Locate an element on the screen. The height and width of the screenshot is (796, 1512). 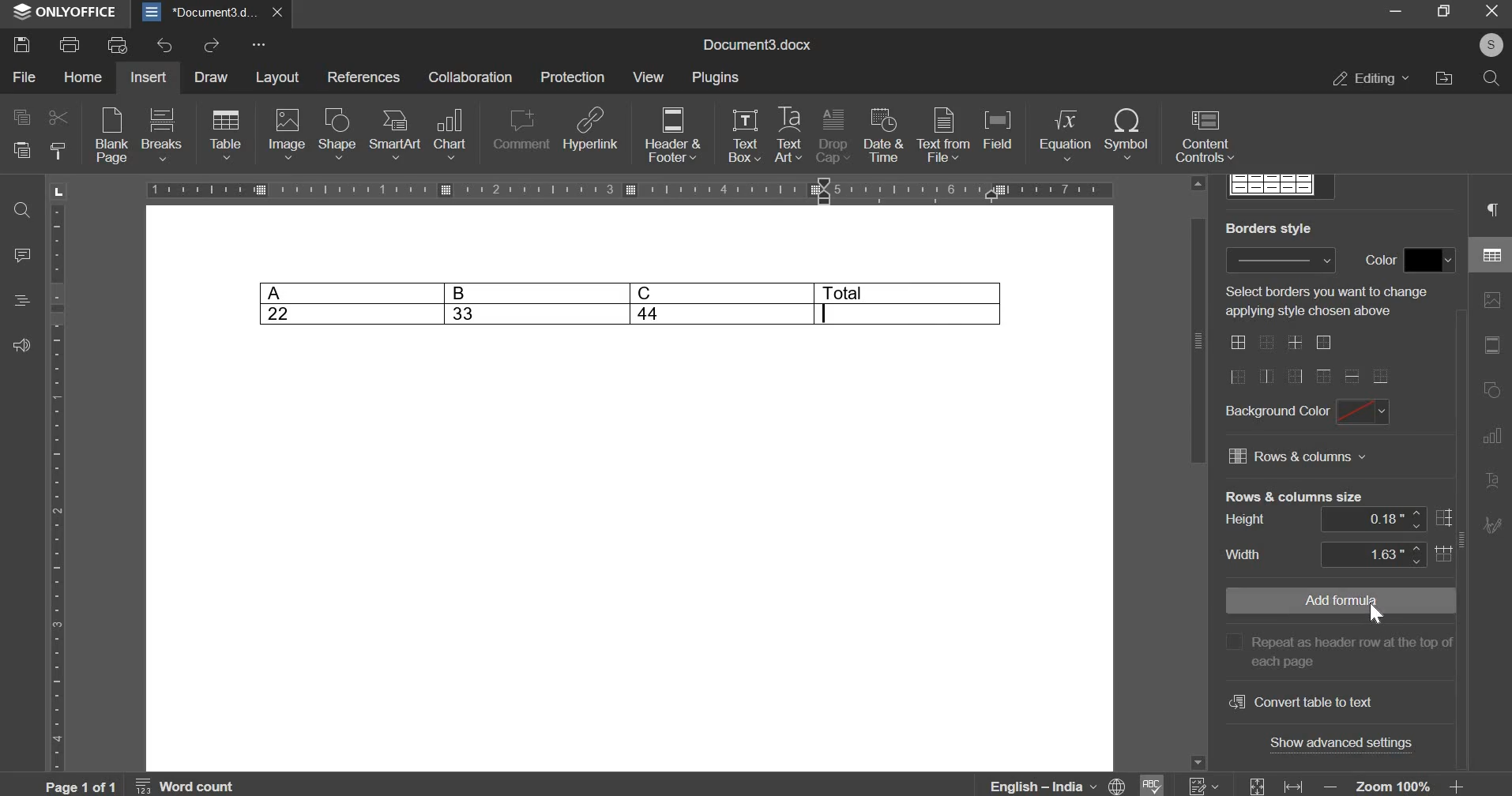
date & time is located at coordinates (882, 136).